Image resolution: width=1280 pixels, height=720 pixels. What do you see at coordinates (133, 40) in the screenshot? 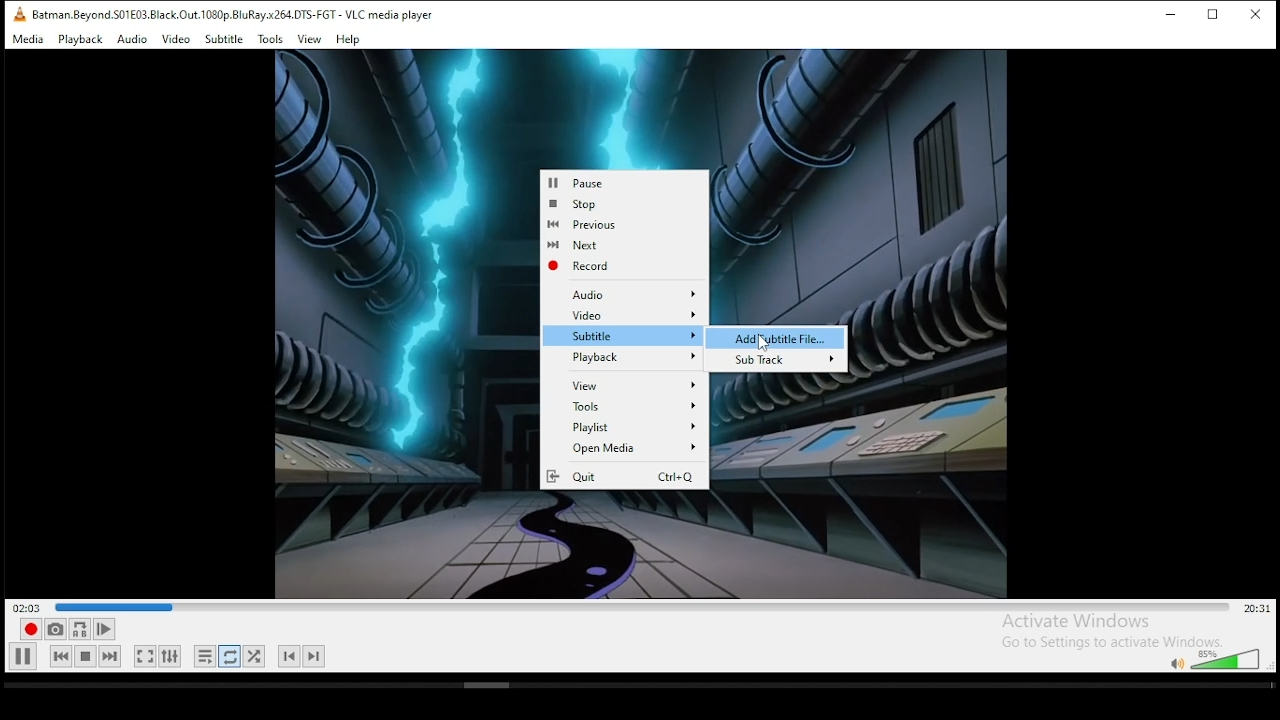
I see `audio` at bounding box center [133, 40].